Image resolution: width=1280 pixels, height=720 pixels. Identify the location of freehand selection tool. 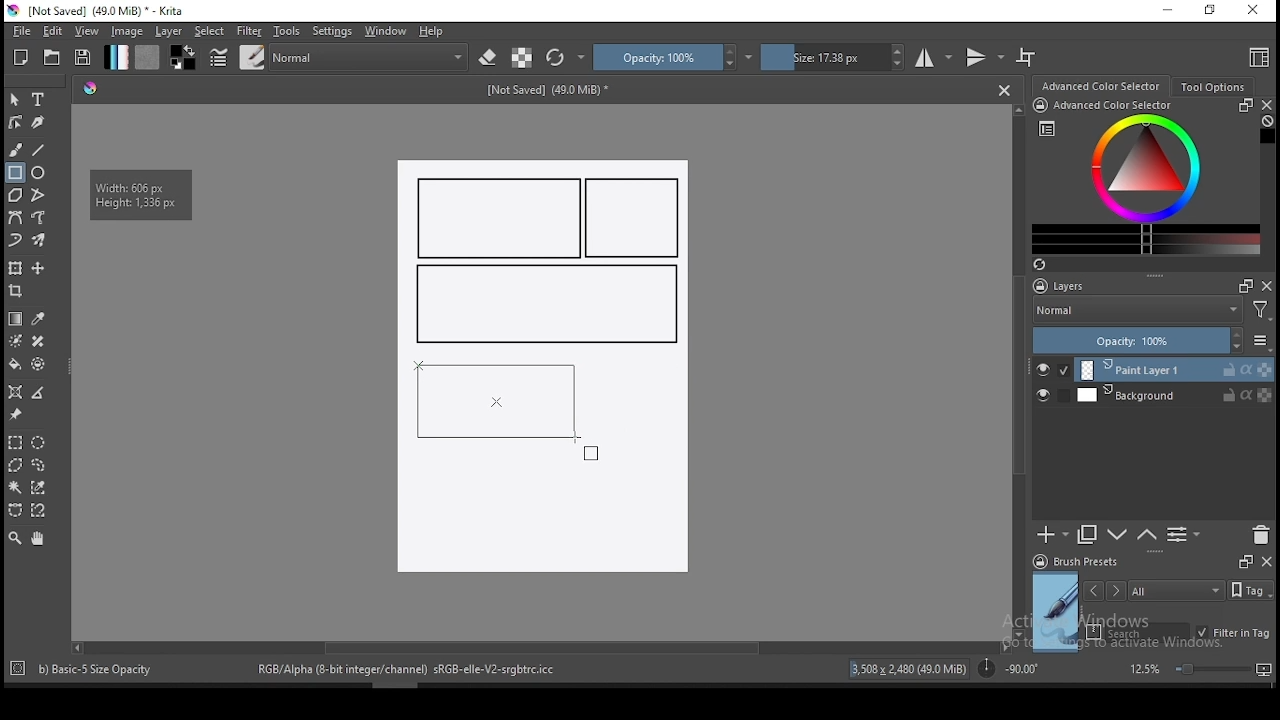
(39, 465).